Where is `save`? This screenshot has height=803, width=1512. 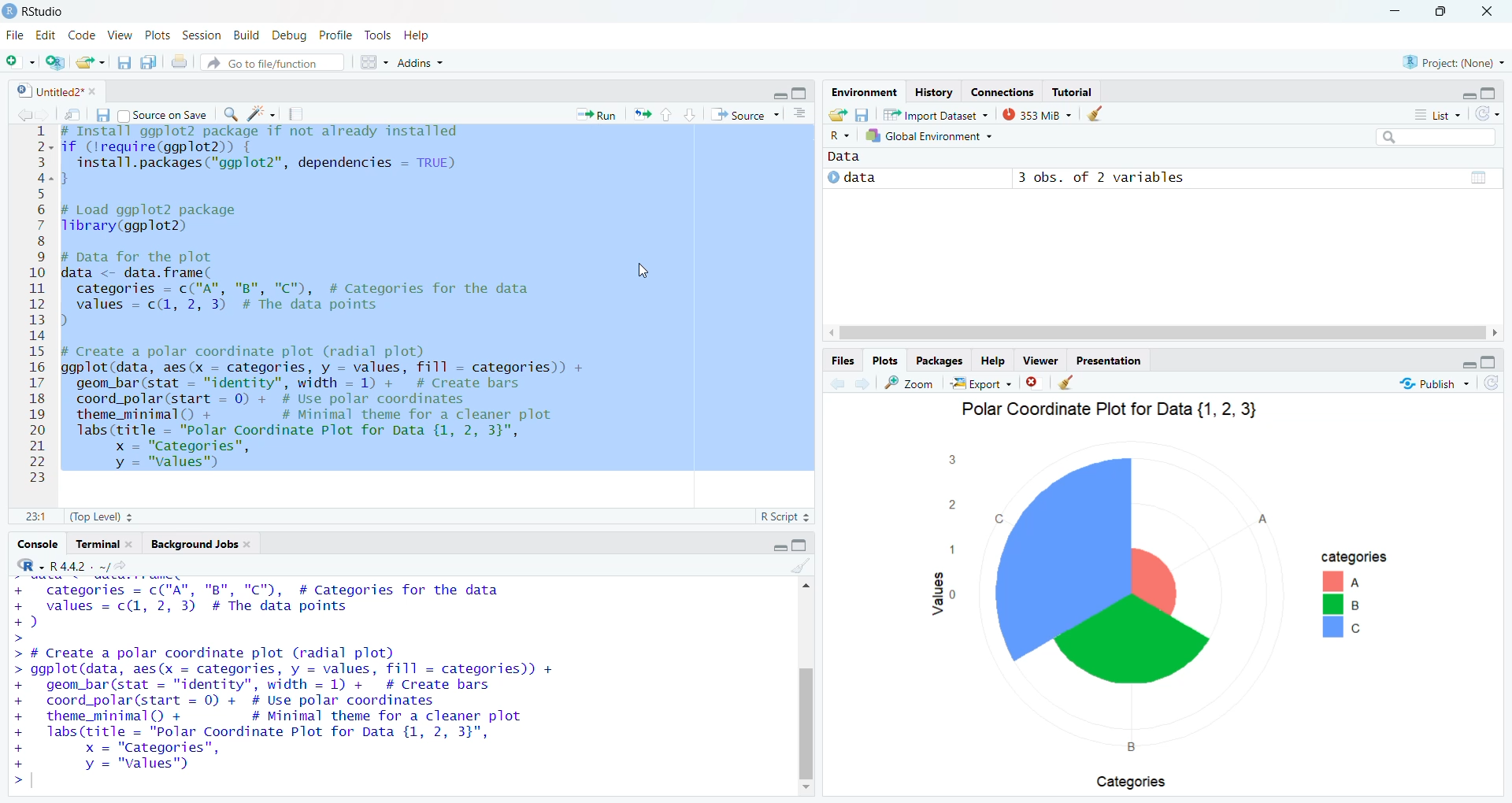 save is located at coordinates (864, 115).